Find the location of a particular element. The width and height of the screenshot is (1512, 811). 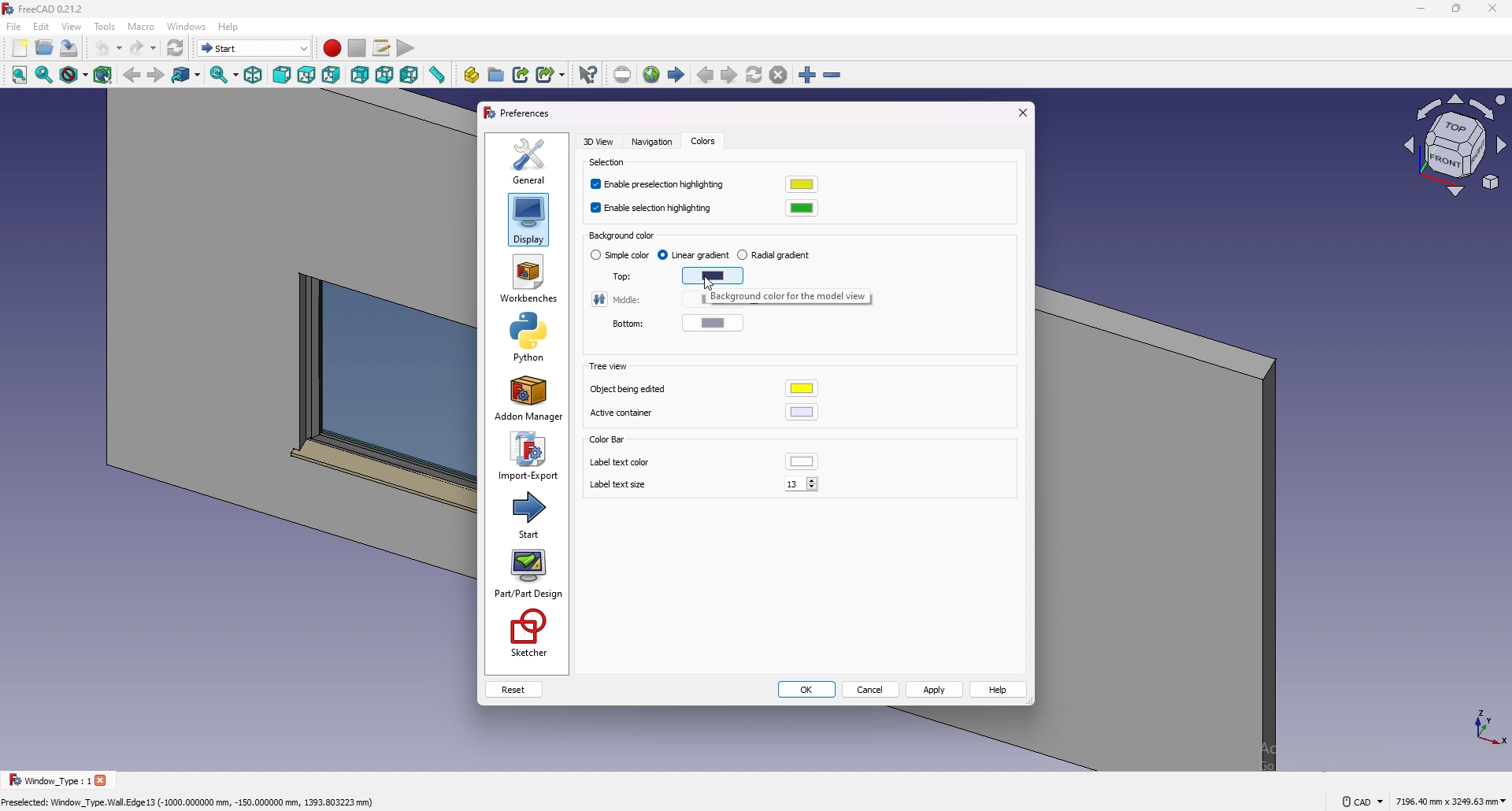

new is located at coordinates (19, 48).